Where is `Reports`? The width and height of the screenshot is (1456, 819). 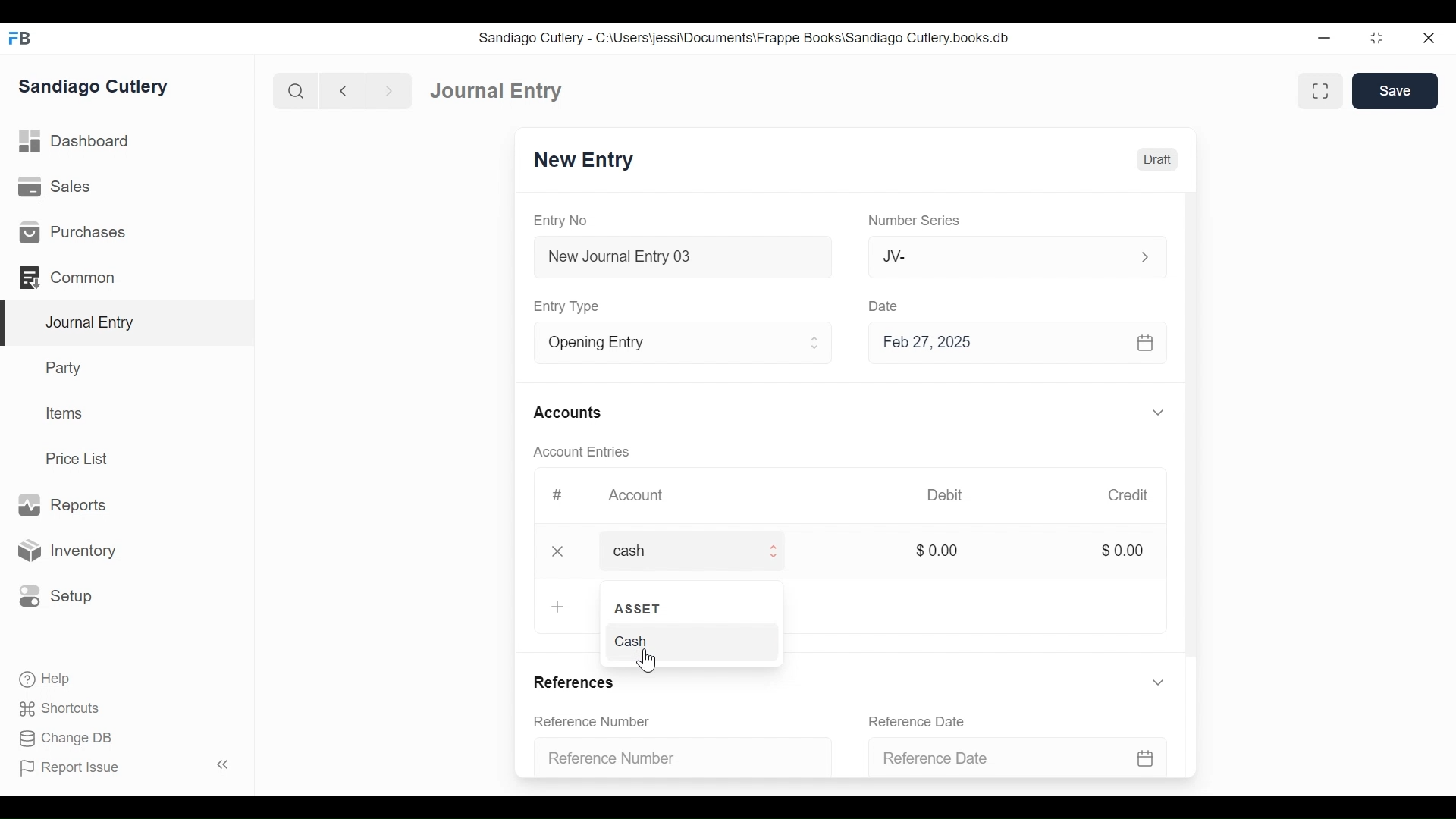
Reports is located at coordinates (67, 505).